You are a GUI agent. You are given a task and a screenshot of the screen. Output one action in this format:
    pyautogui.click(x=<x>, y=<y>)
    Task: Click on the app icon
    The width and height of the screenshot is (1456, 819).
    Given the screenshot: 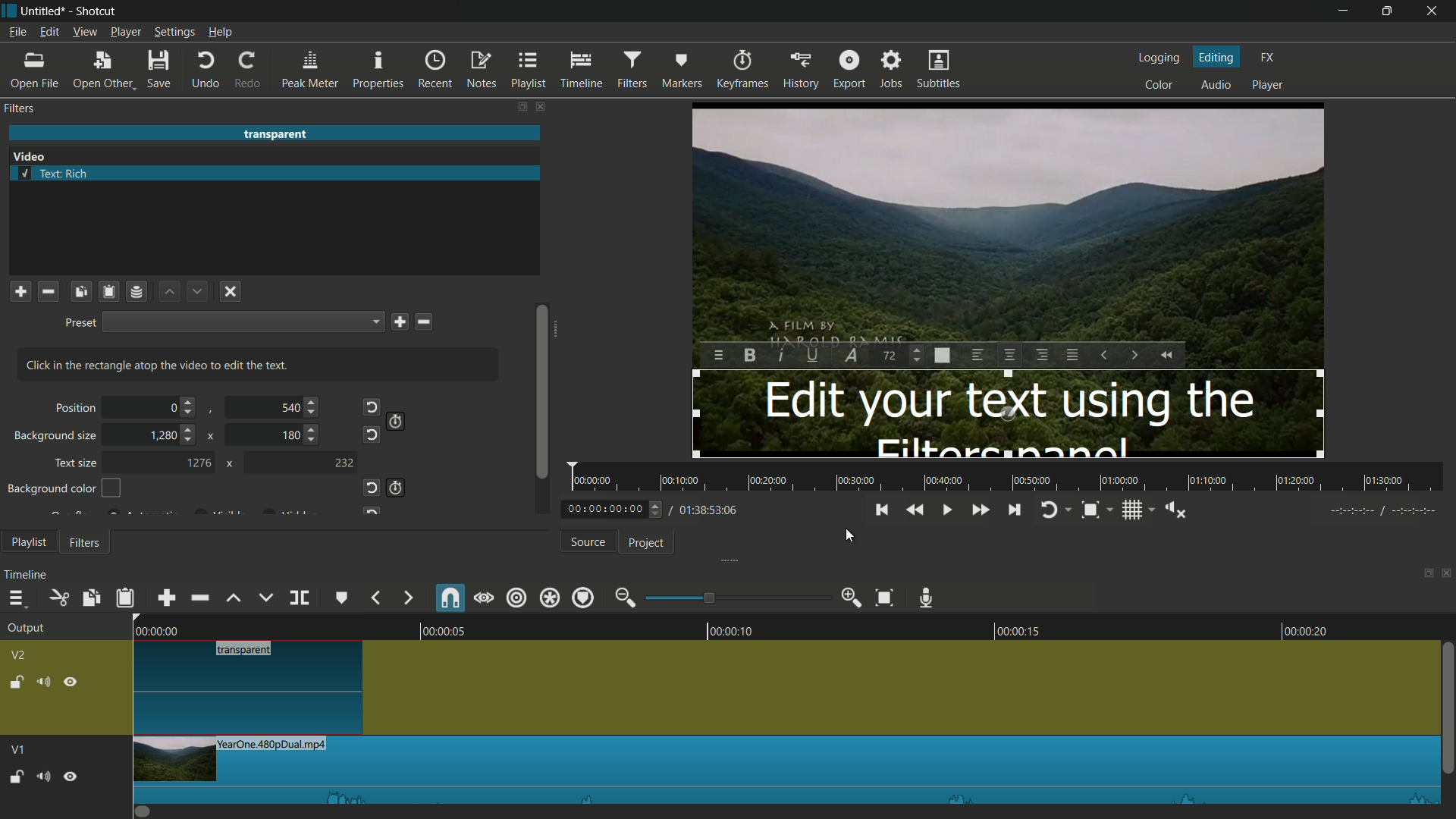 What is the action you would take?
    pyautogui.click(x=9, y=10)
    